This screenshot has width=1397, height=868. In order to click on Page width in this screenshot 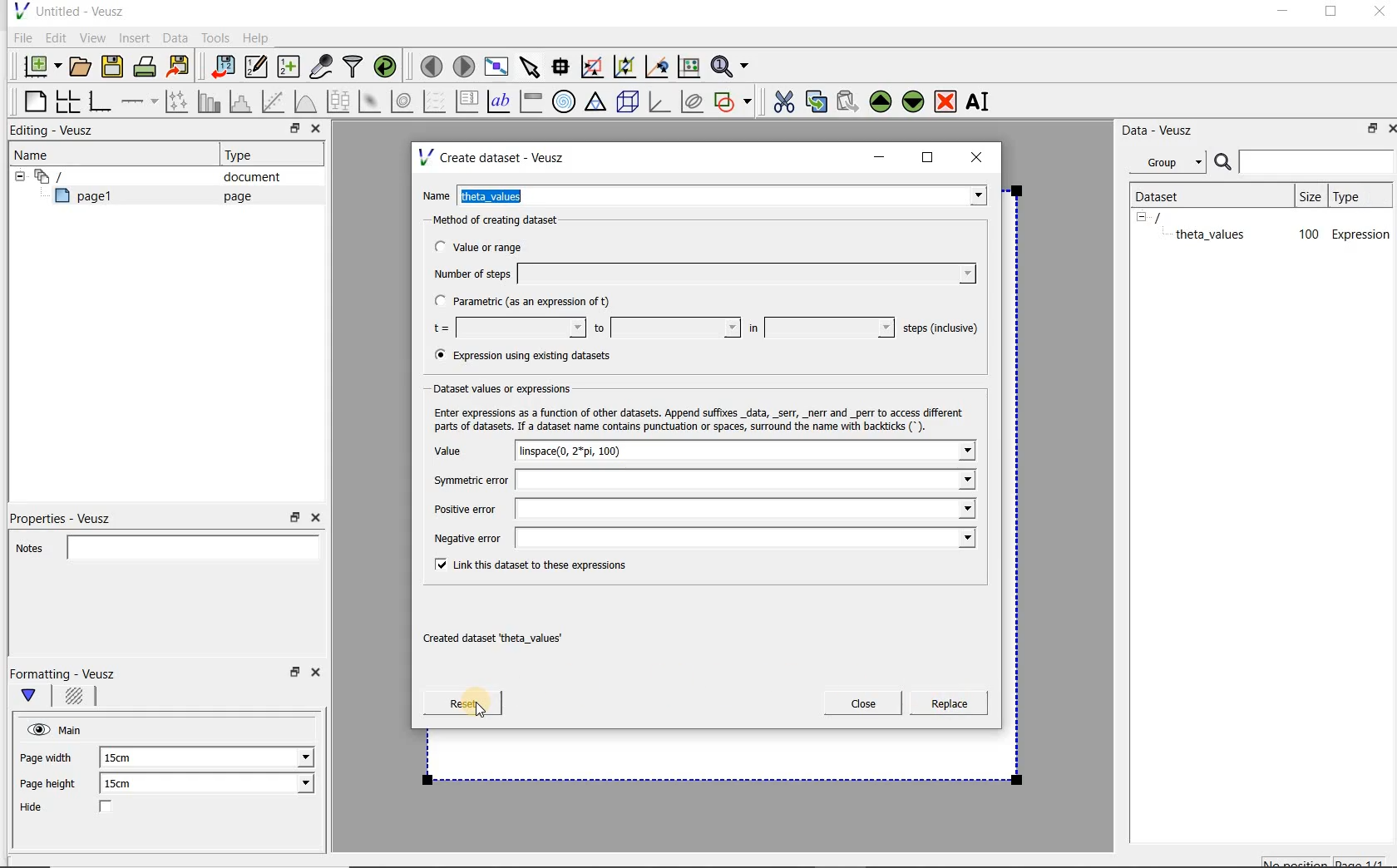, I will do `click(47, 755)`.